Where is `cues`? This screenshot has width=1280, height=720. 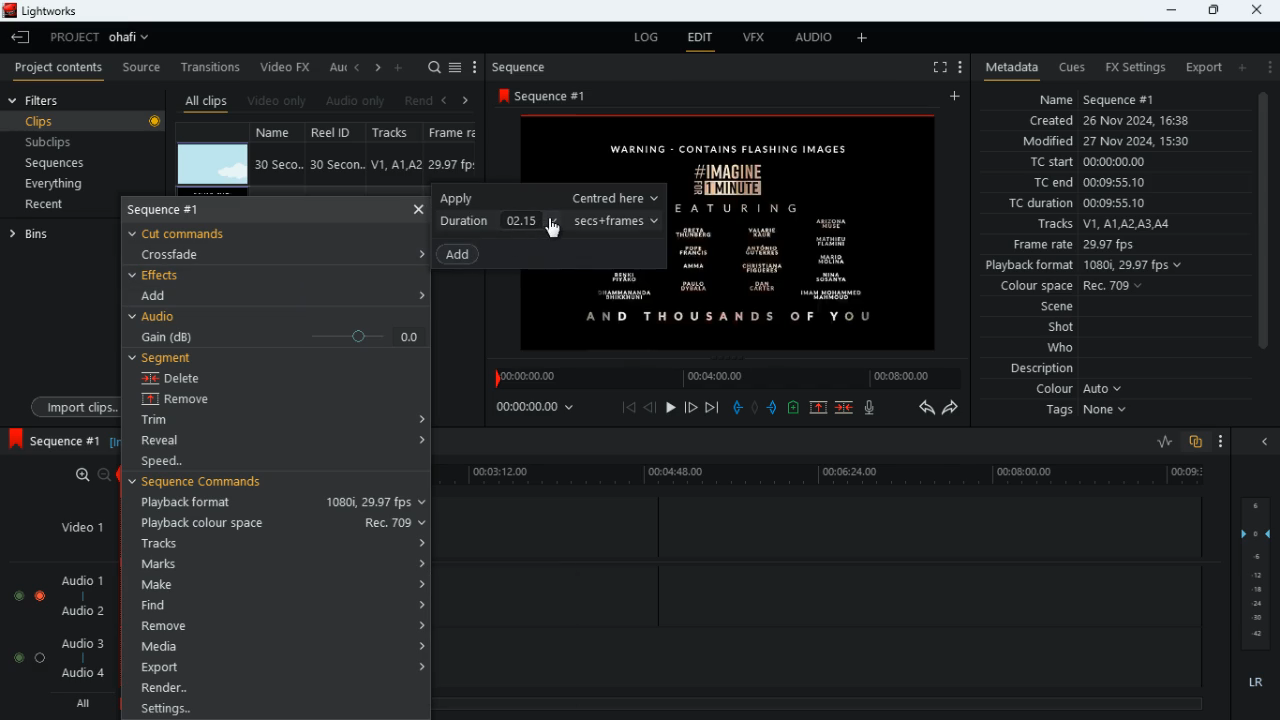
cues is located at coordinates (1072, 67).